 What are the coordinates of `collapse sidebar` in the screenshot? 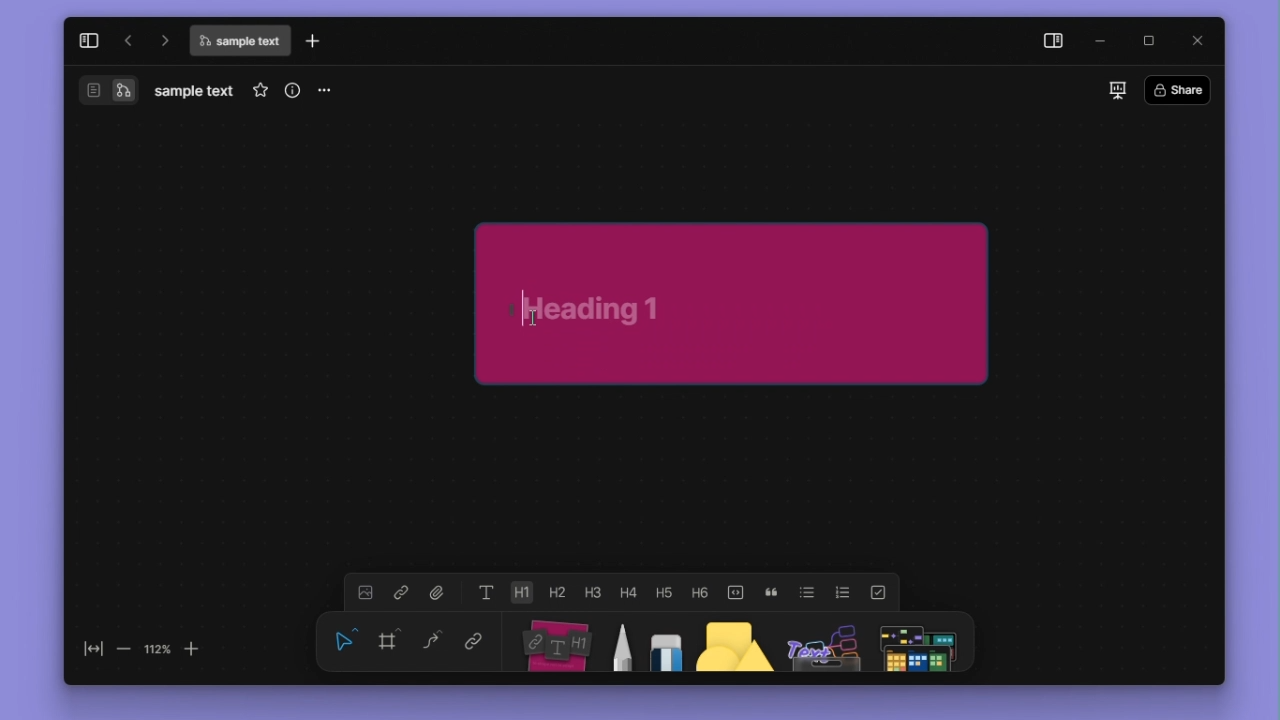 It's located at (89, 41).